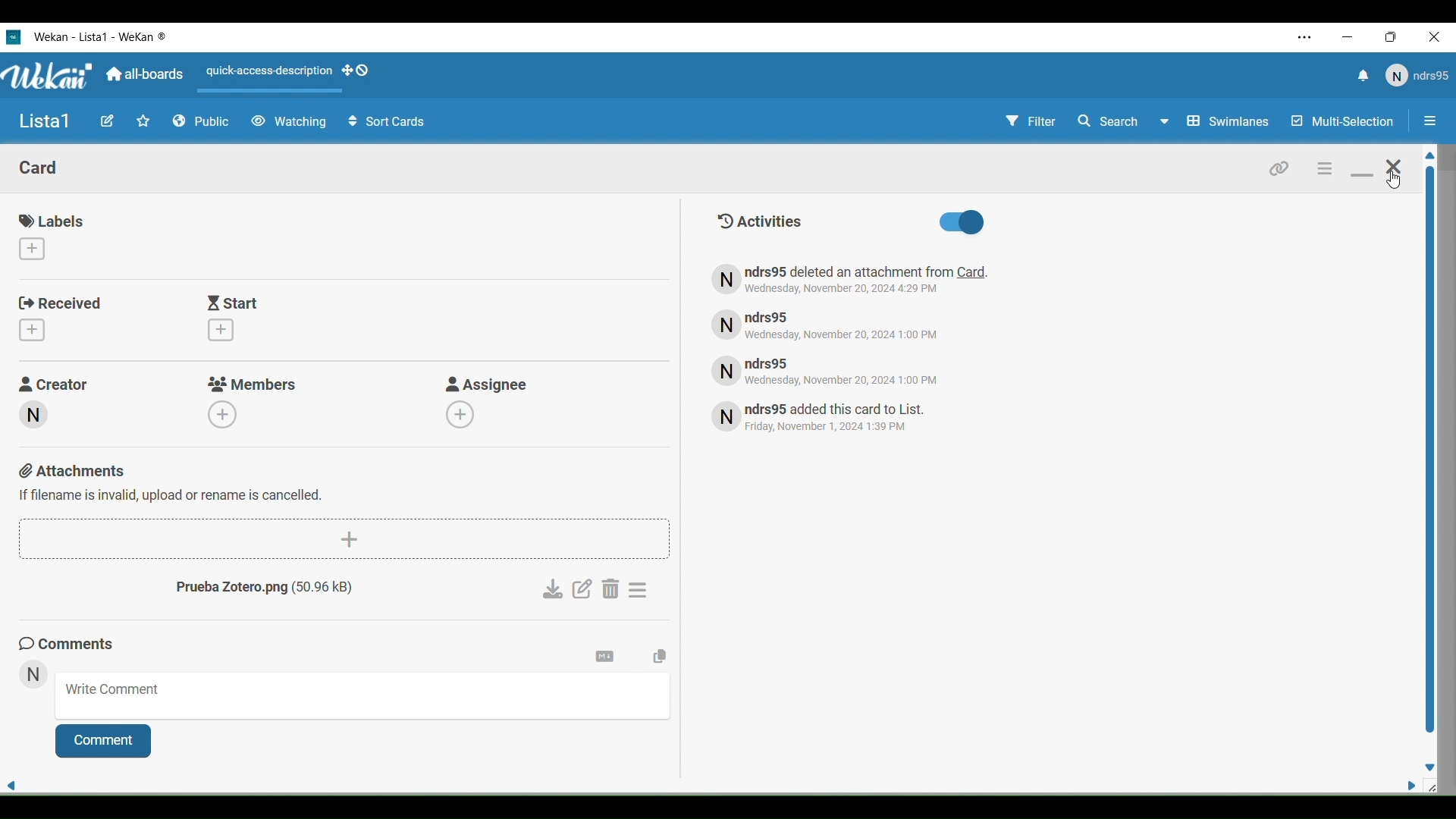 Image resolution: width=1456 pixels, height=819 pixels. Describe the element at coordinates (31, 330) in the screenshot. I see `Add received` at that location.